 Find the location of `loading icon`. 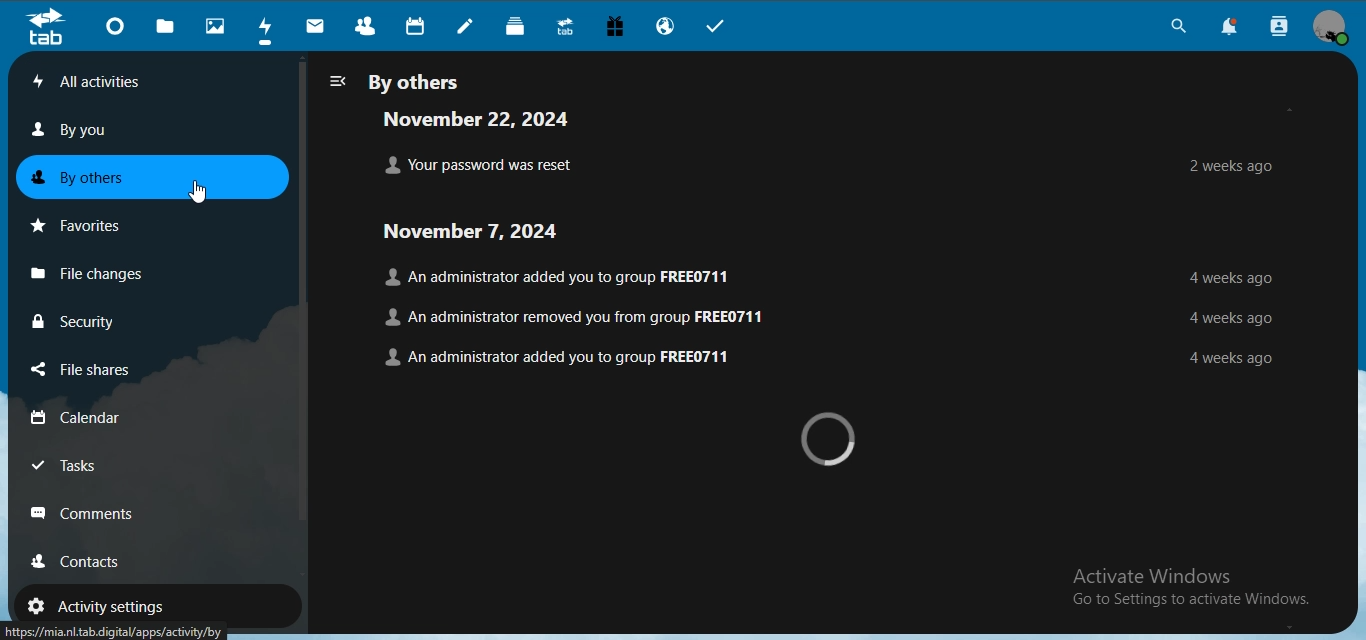

loading icon is located at coordinates (834, 440).